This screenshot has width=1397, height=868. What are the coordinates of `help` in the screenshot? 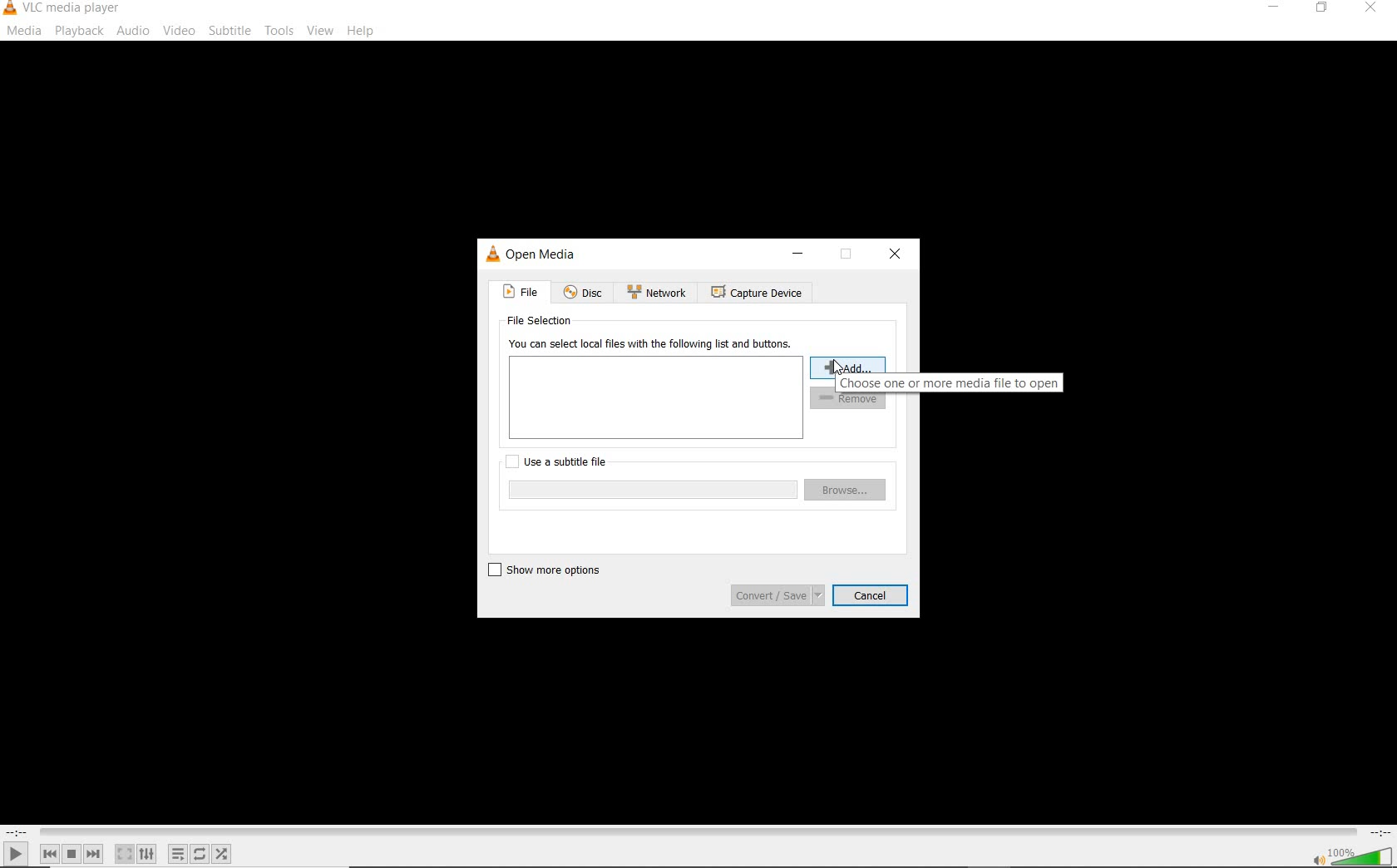 It's located at (361, 32).